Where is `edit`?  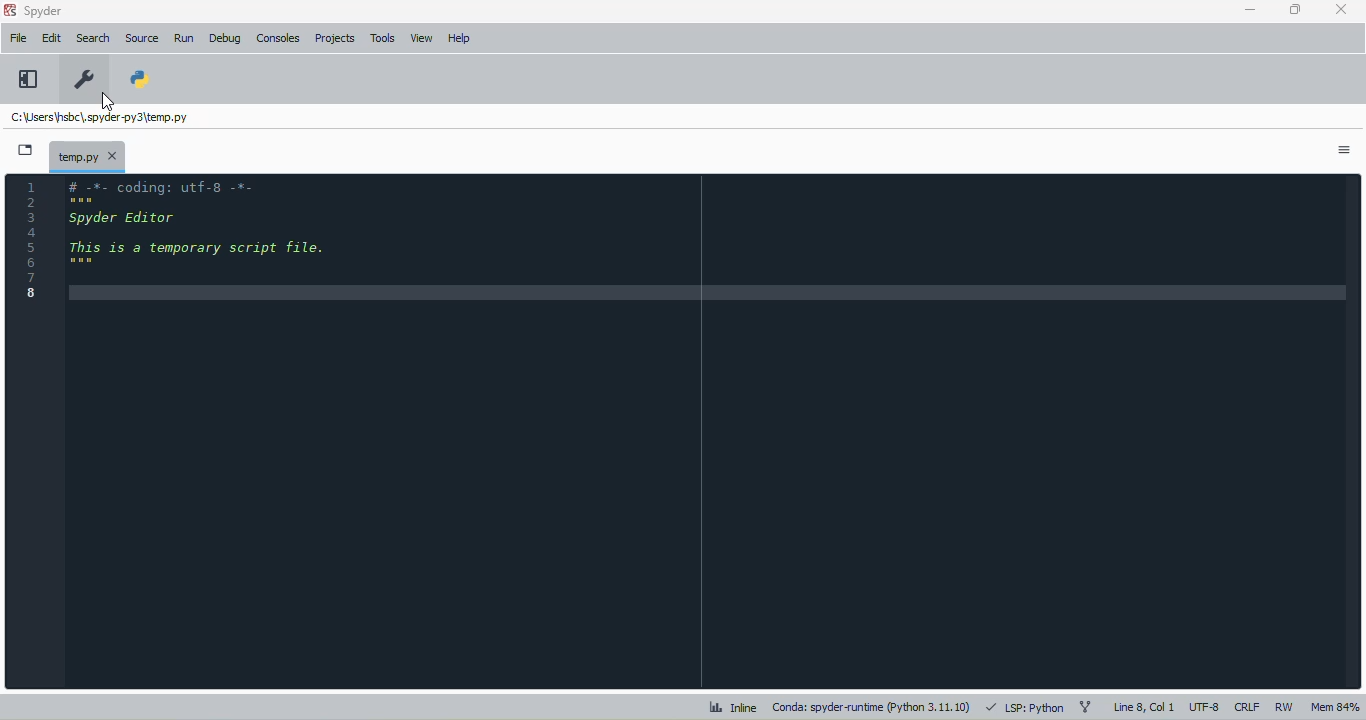 edit is located at coordinates (52, 38).